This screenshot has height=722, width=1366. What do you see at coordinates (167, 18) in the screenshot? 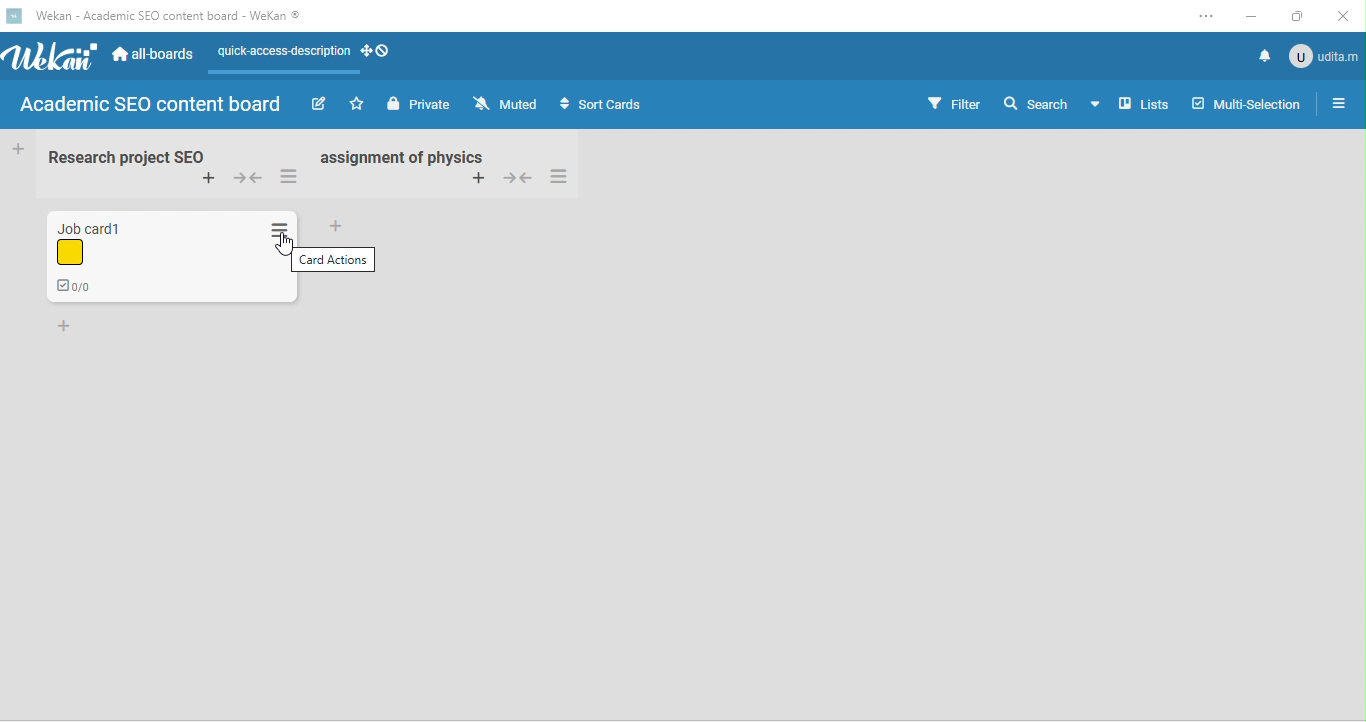
I see `Wekan - Academic SEO content board -WeKan` at bounding box center [167, 18].